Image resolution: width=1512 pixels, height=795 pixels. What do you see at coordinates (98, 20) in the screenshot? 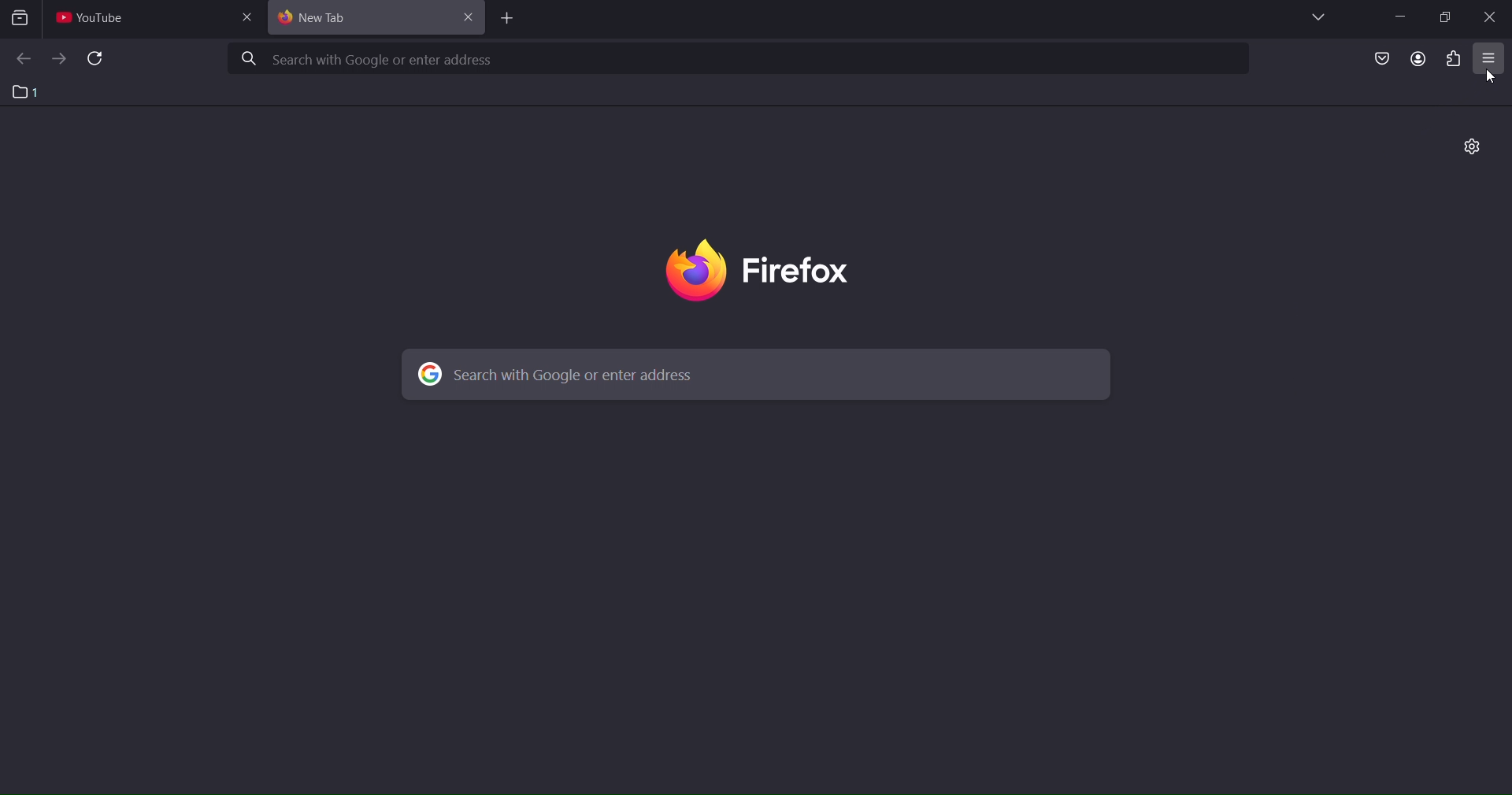
I see `youtube` at bounding box center [98, 20].